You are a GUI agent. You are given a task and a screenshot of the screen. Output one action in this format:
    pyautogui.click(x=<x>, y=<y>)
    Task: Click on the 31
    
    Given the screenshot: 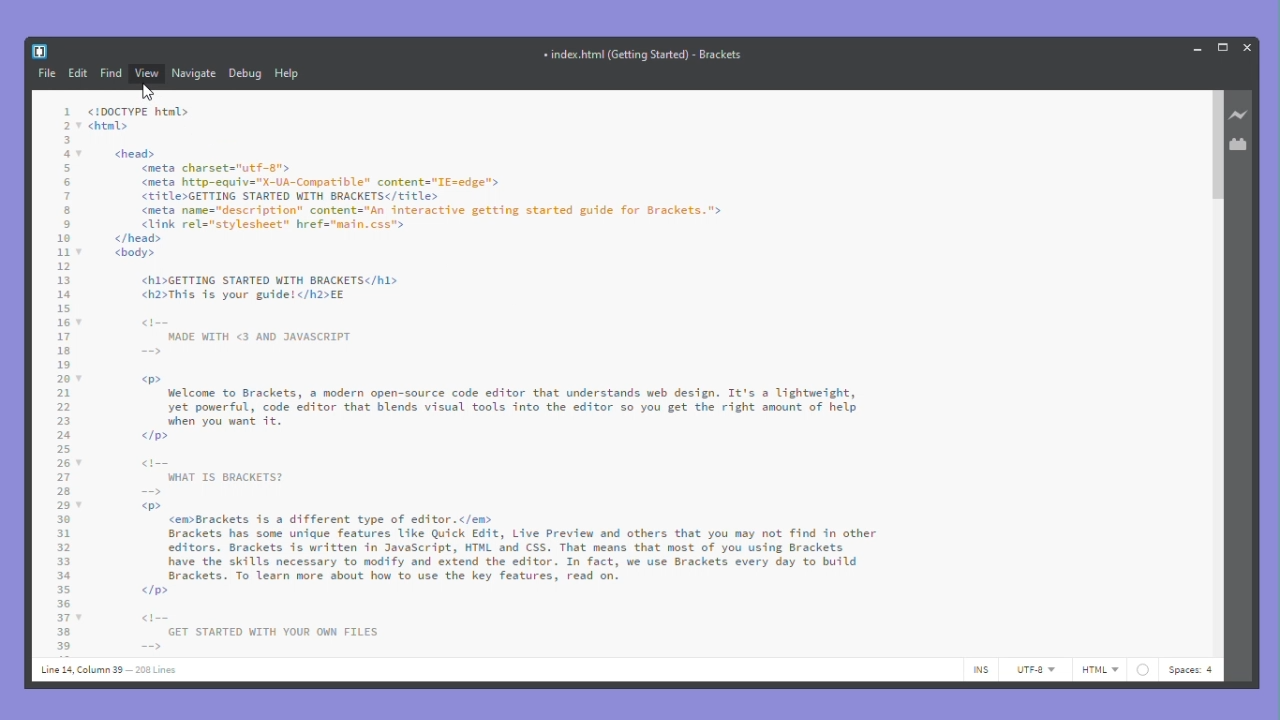 What is the action you would take?
    pyautogui.click(x=63, y=533)
    